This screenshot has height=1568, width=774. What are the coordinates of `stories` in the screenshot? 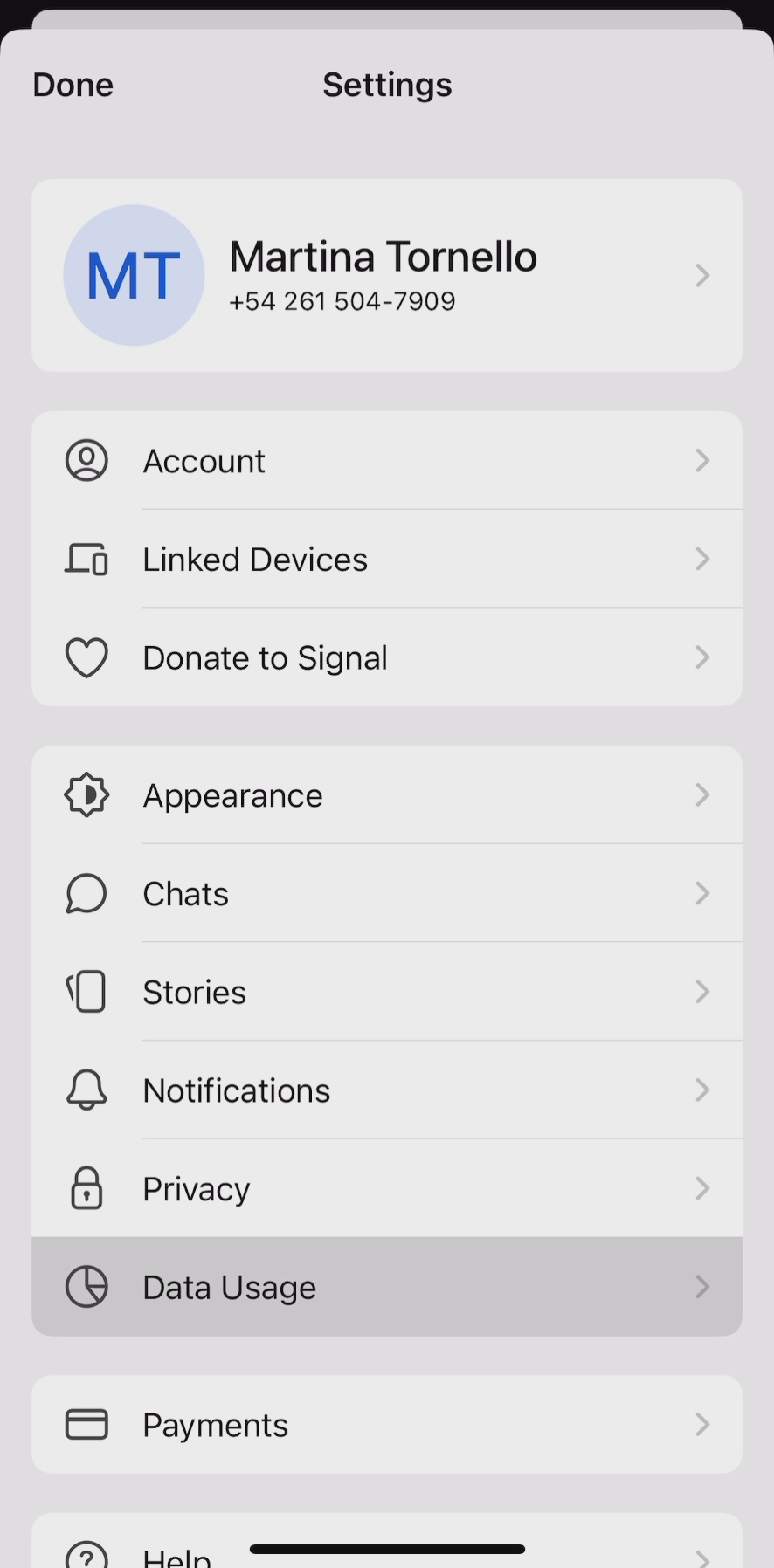 It's located at (385, 991).